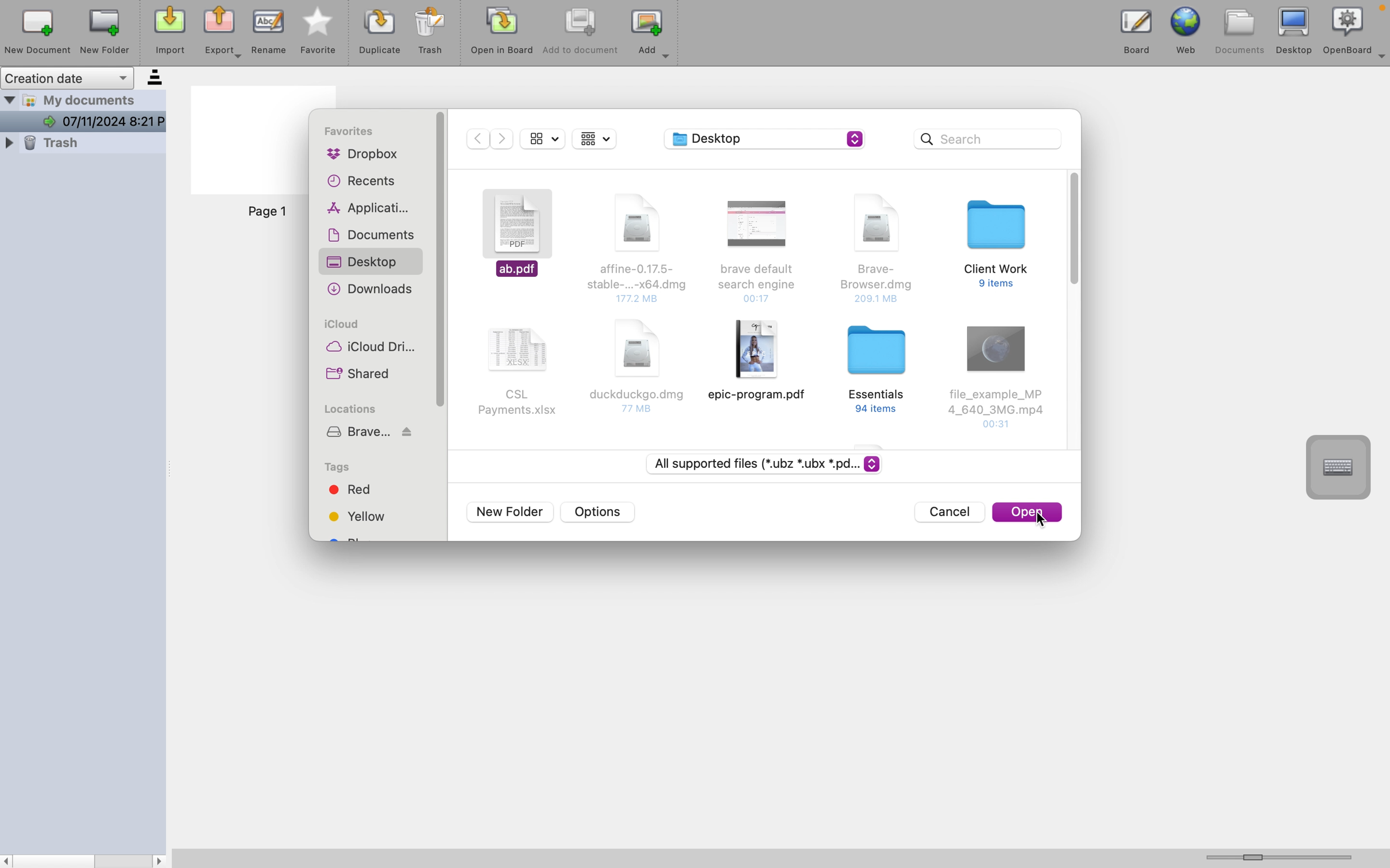 The height and width of the screenshot is (868, 1390). What do you see at coordinates (104, 31) in the screenshot?
I see `new folder` at bounding box center [104, 31].